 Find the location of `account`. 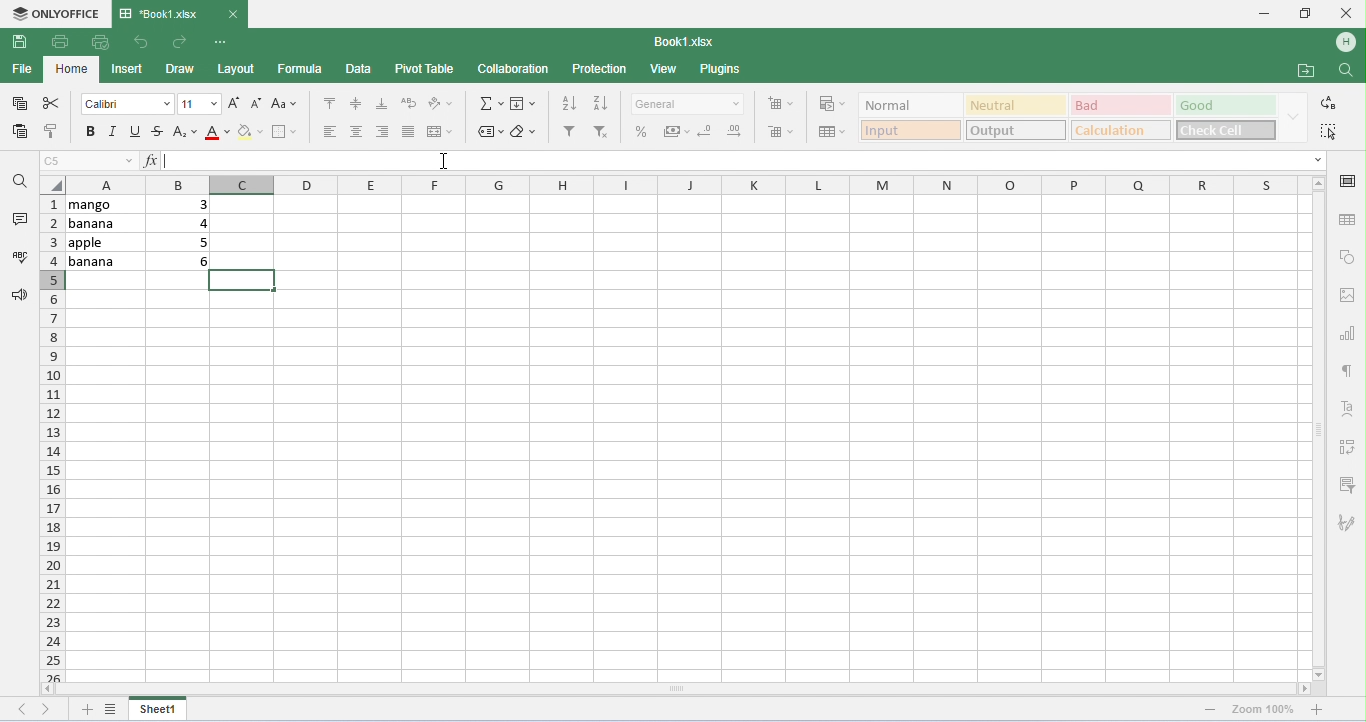

account is located at coordinates (1346, 43).